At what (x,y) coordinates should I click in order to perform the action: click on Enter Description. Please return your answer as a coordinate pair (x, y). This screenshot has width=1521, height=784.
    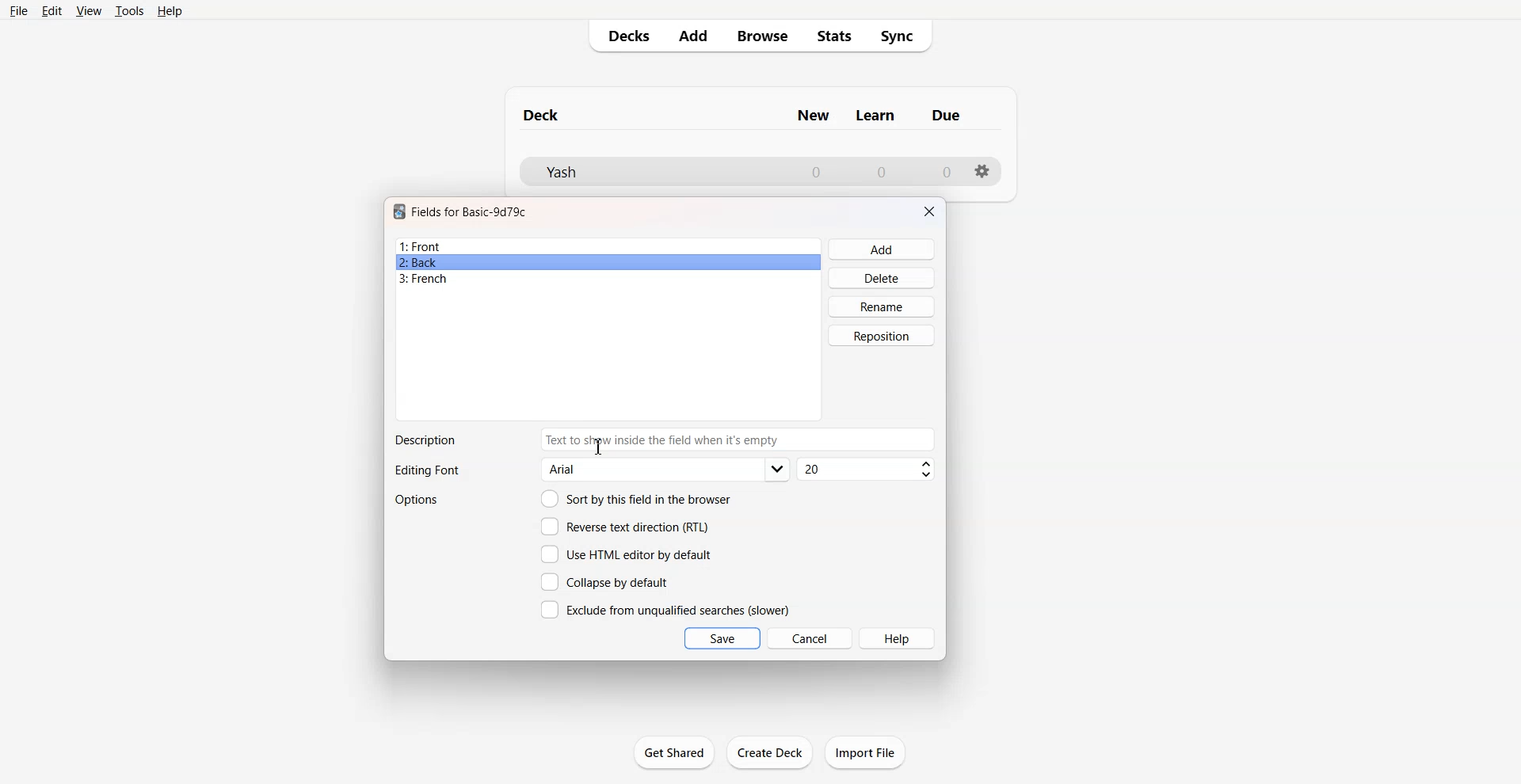
    Looking at the image, I should click on (816, 440).